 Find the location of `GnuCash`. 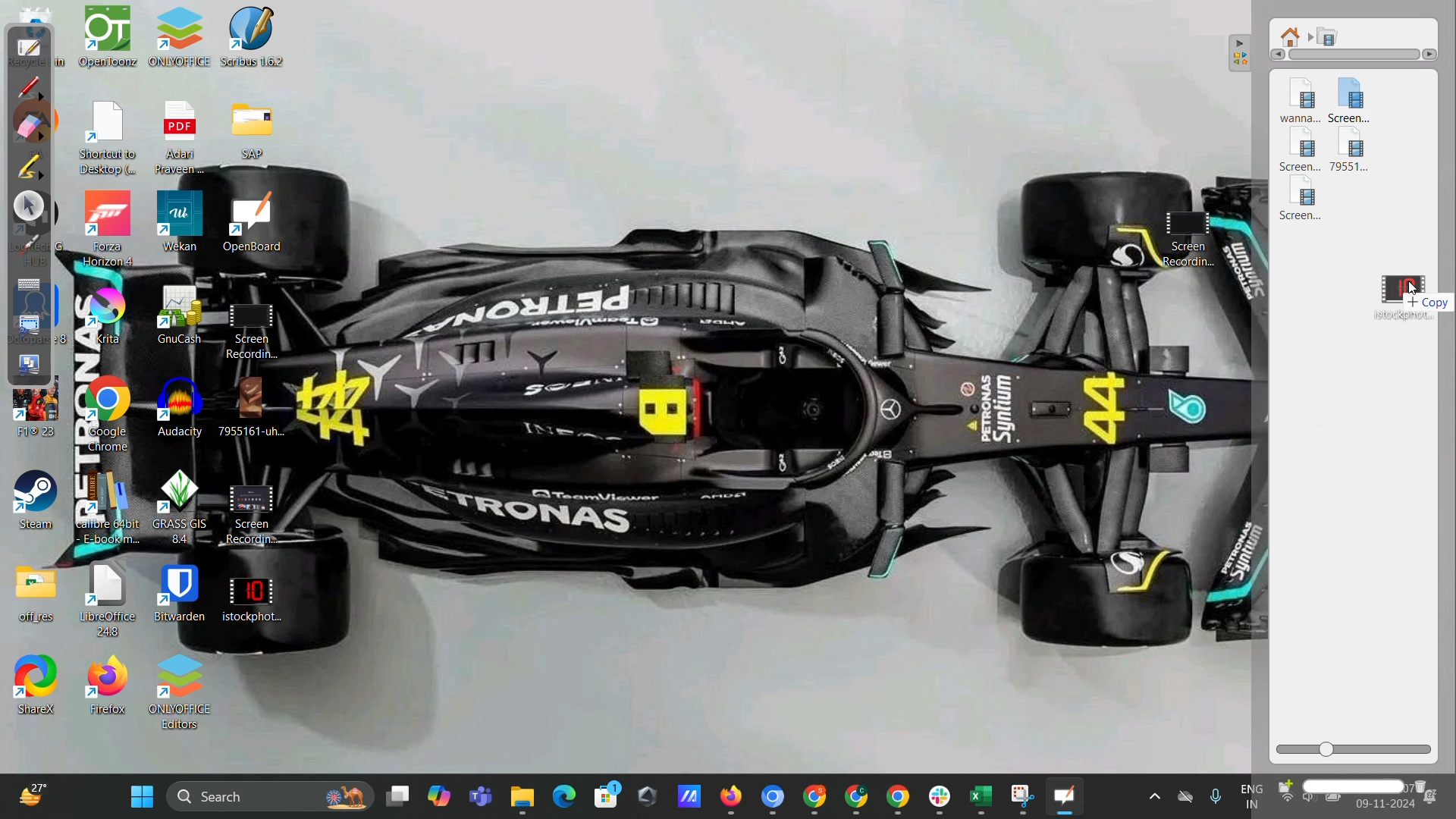

GnuCash is located at coordinates (181, 316).